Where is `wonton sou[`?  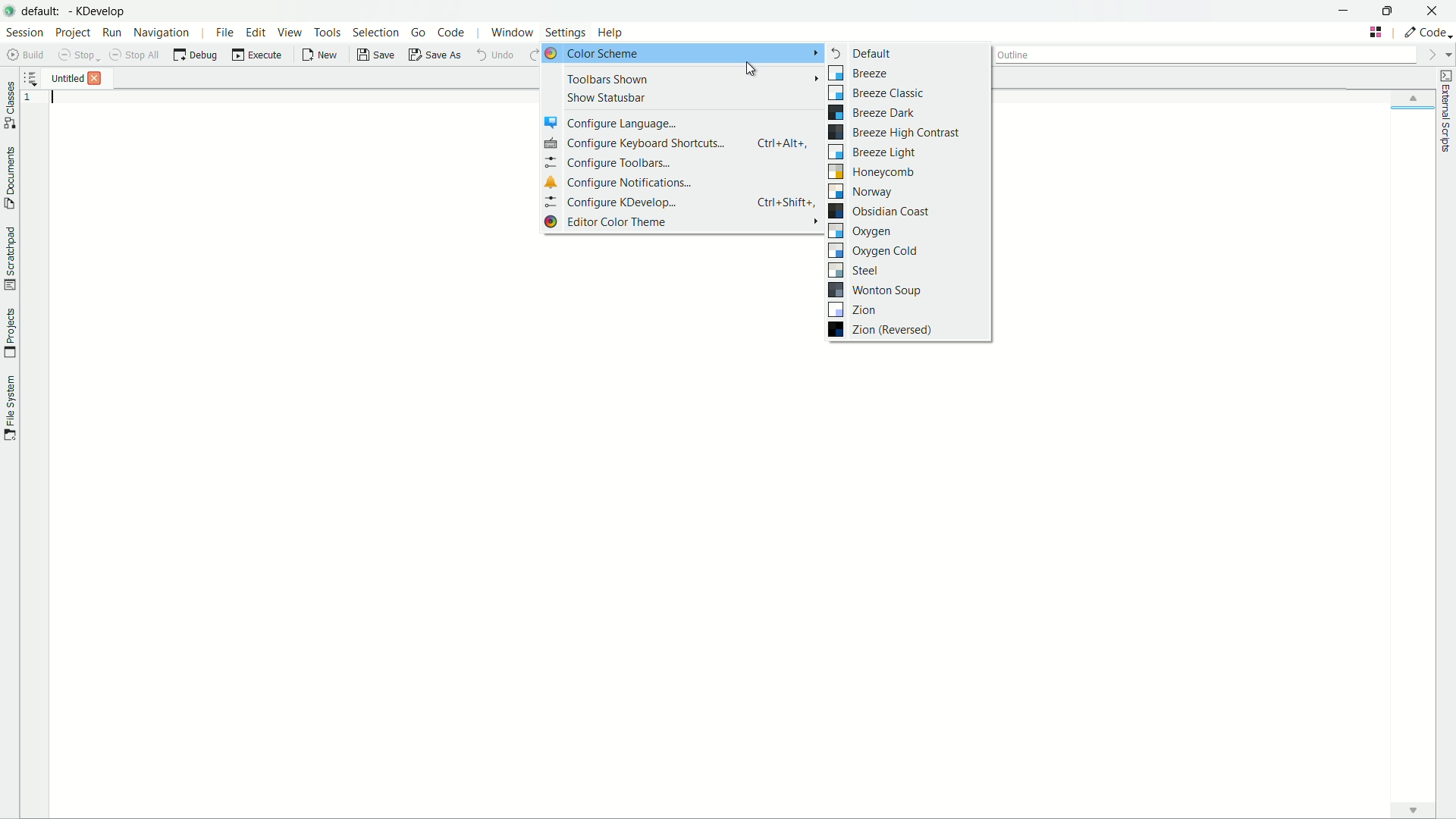 wonton sou[ is located at coordinates (877, 290).